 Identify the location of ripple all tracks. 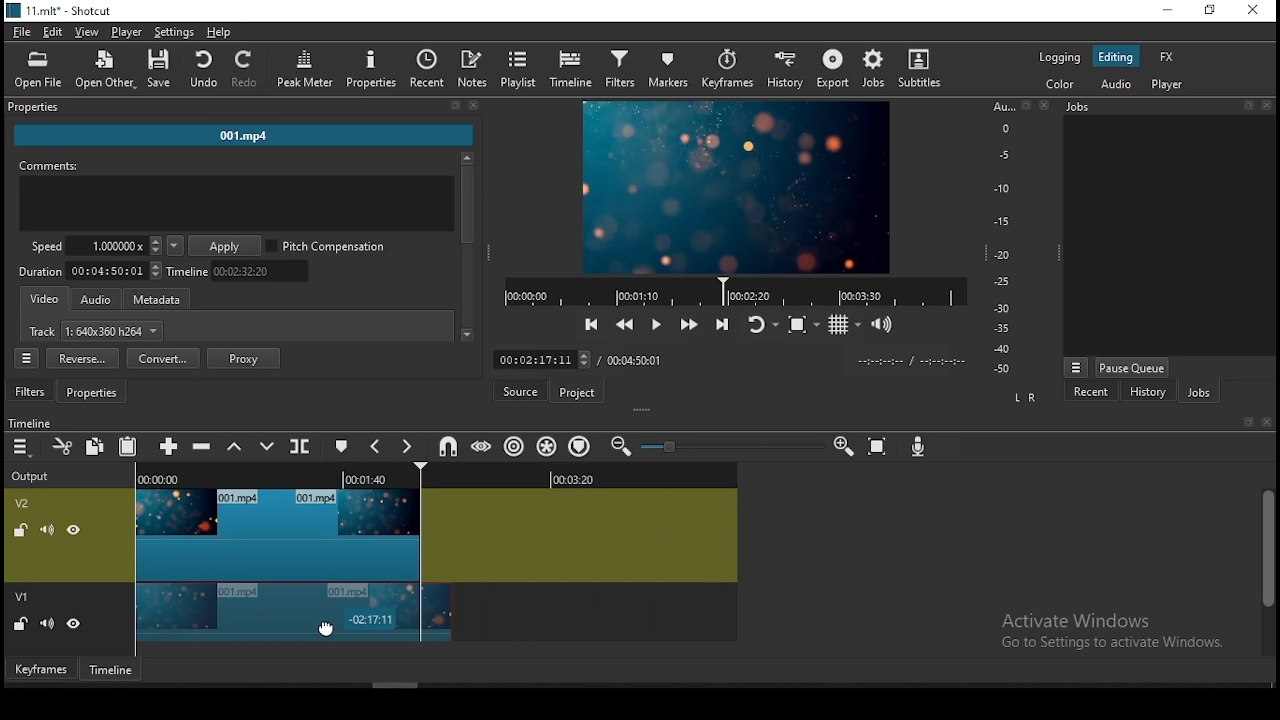
(547, 446).